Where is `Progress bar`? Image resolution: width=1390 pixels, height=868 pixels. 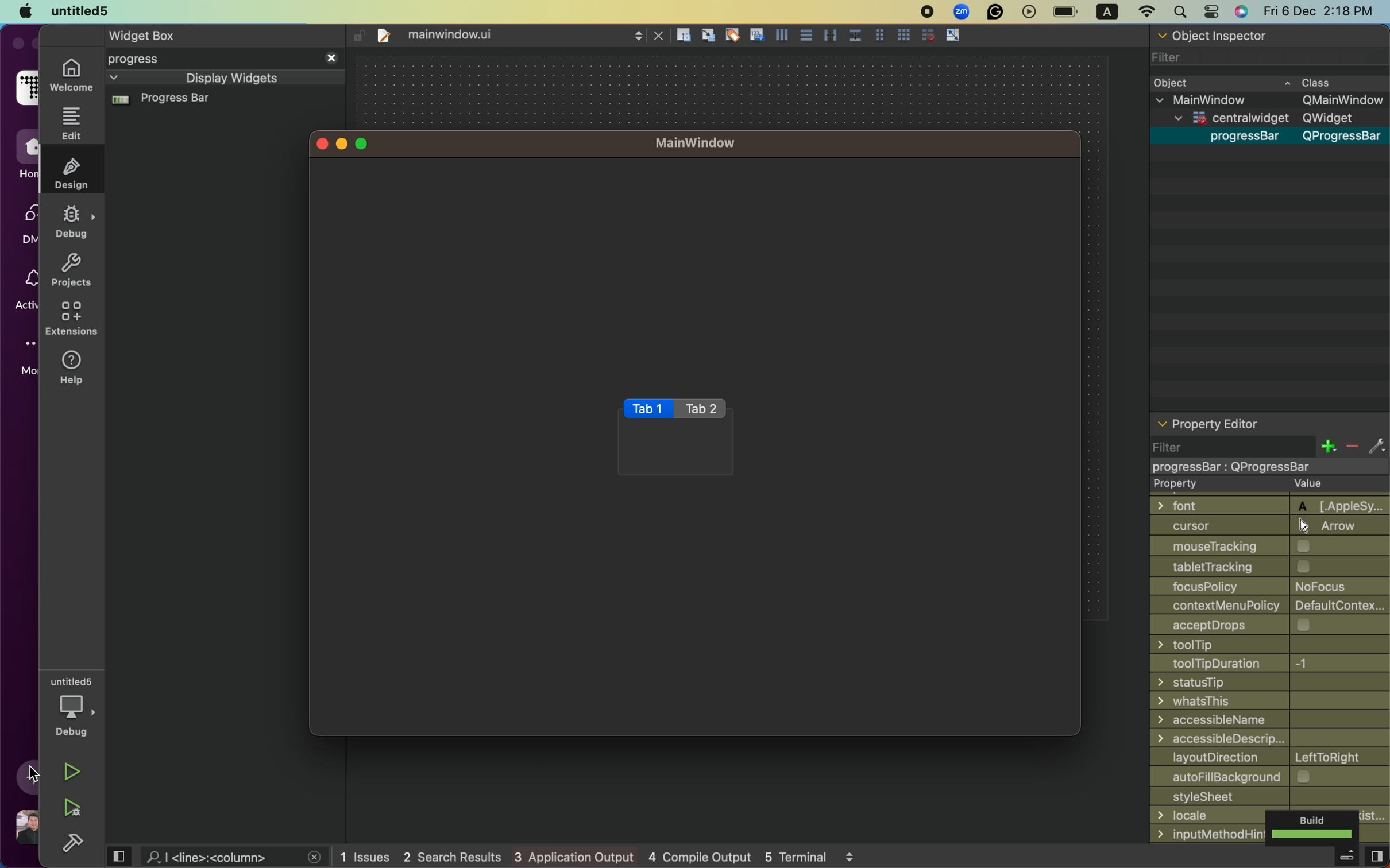 Progress bar is located at coordinates (161, 99).